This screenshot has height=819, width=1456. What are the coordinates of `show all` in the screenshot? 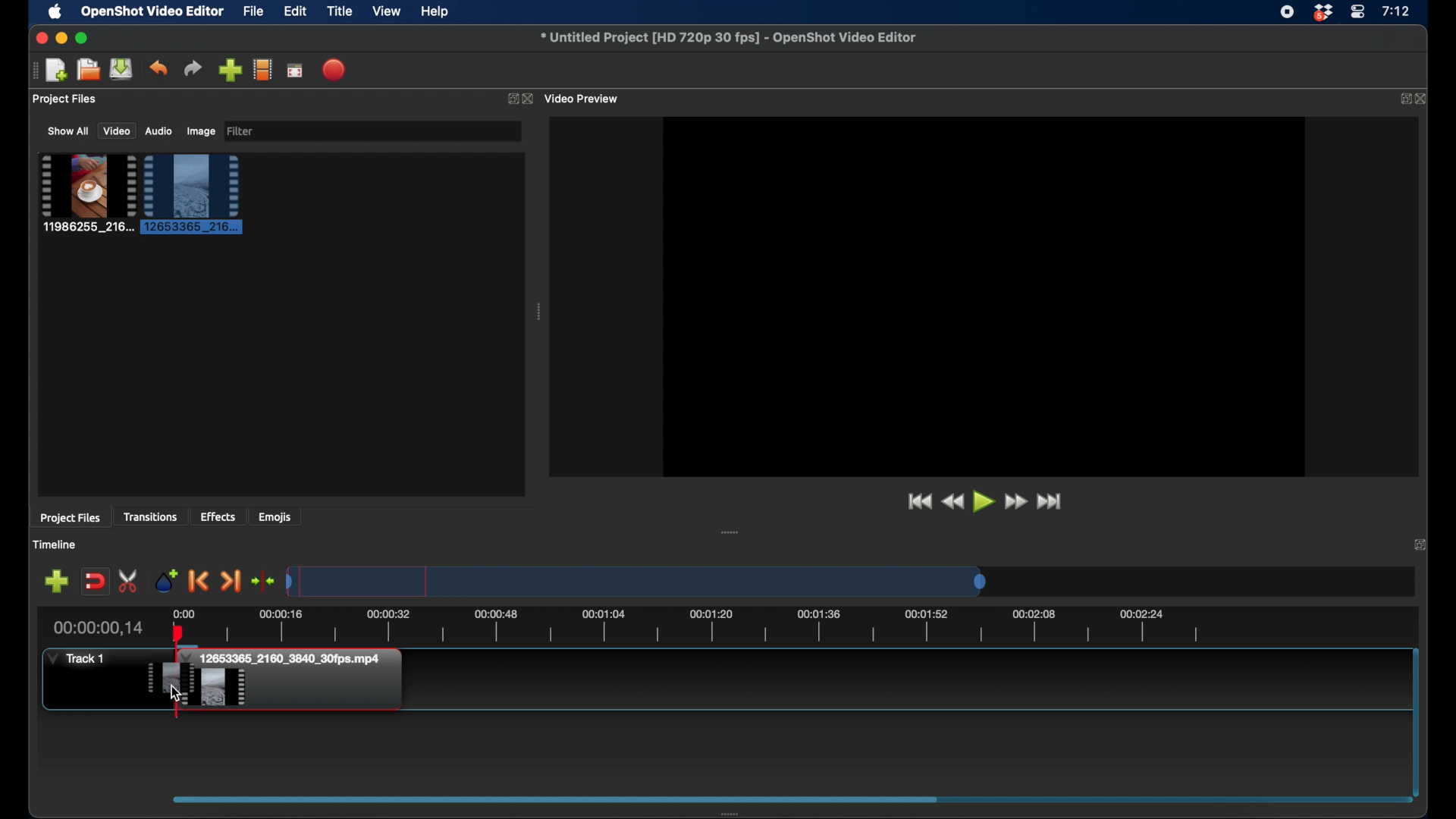 It's located at (67, 130).